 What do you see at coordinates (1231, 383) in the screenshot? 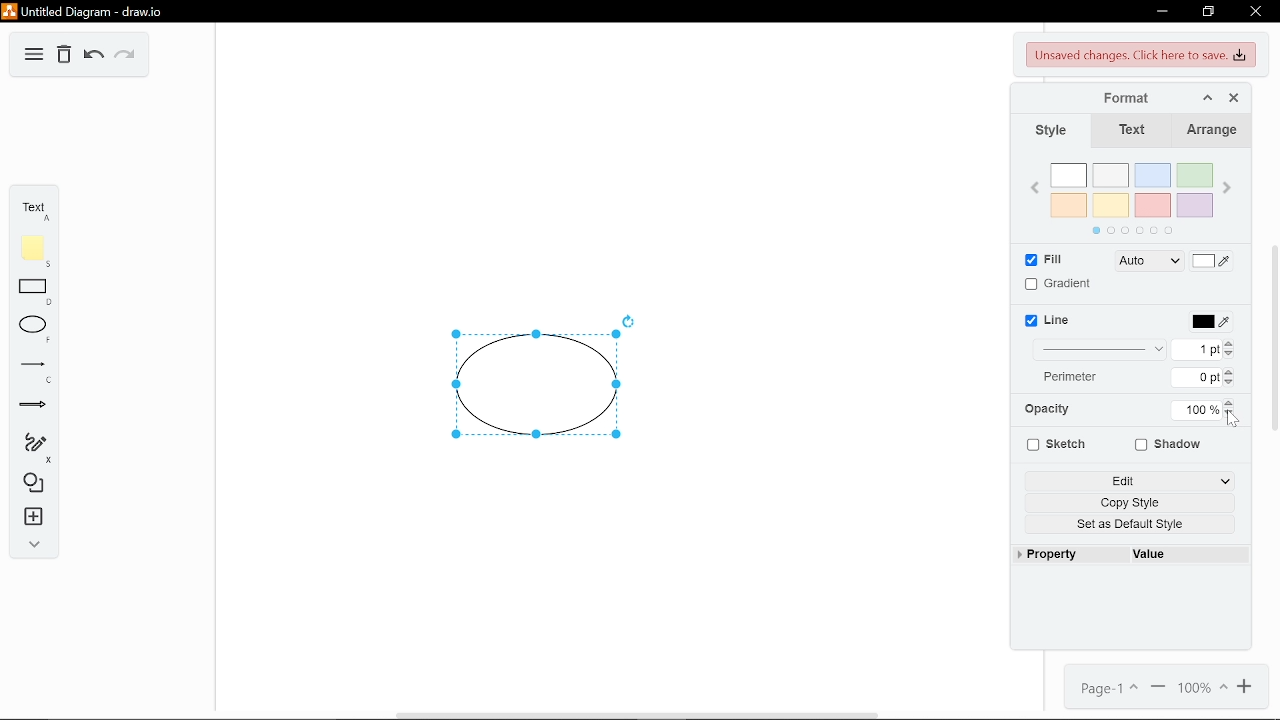
I see `Decrease perimeter` at bounding box center [1231, 383].